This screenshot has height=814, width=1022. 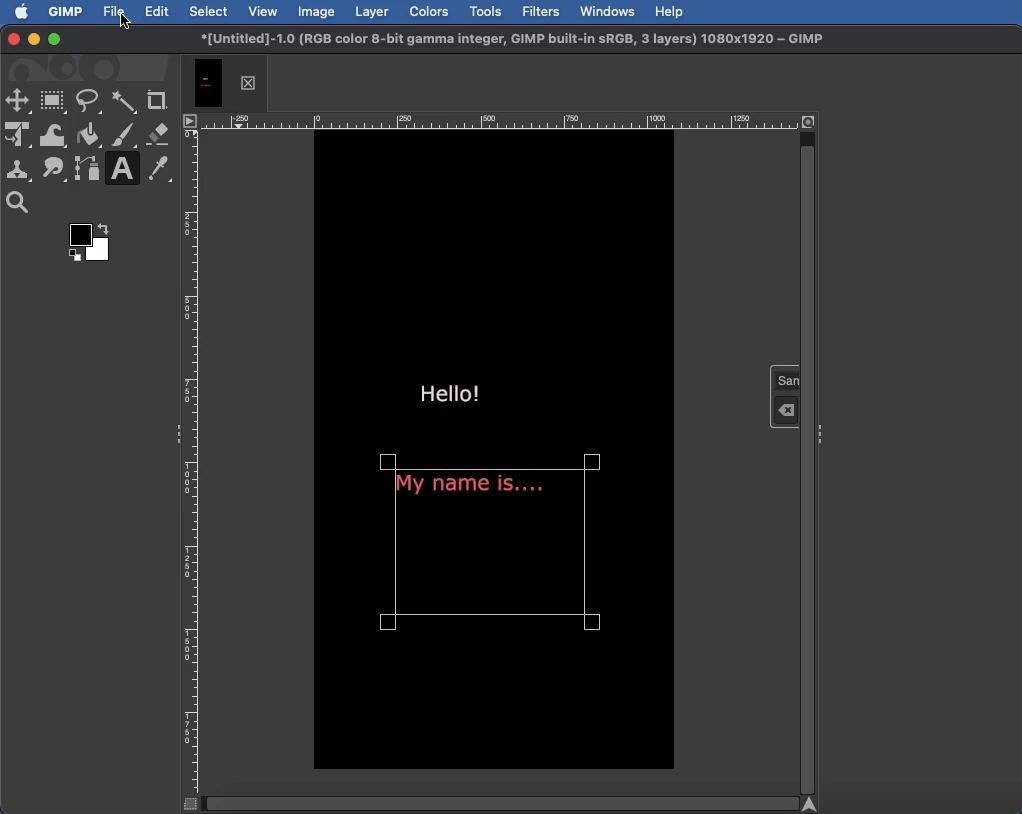 I want to click on Clone tool, so click(x=19, y=172).